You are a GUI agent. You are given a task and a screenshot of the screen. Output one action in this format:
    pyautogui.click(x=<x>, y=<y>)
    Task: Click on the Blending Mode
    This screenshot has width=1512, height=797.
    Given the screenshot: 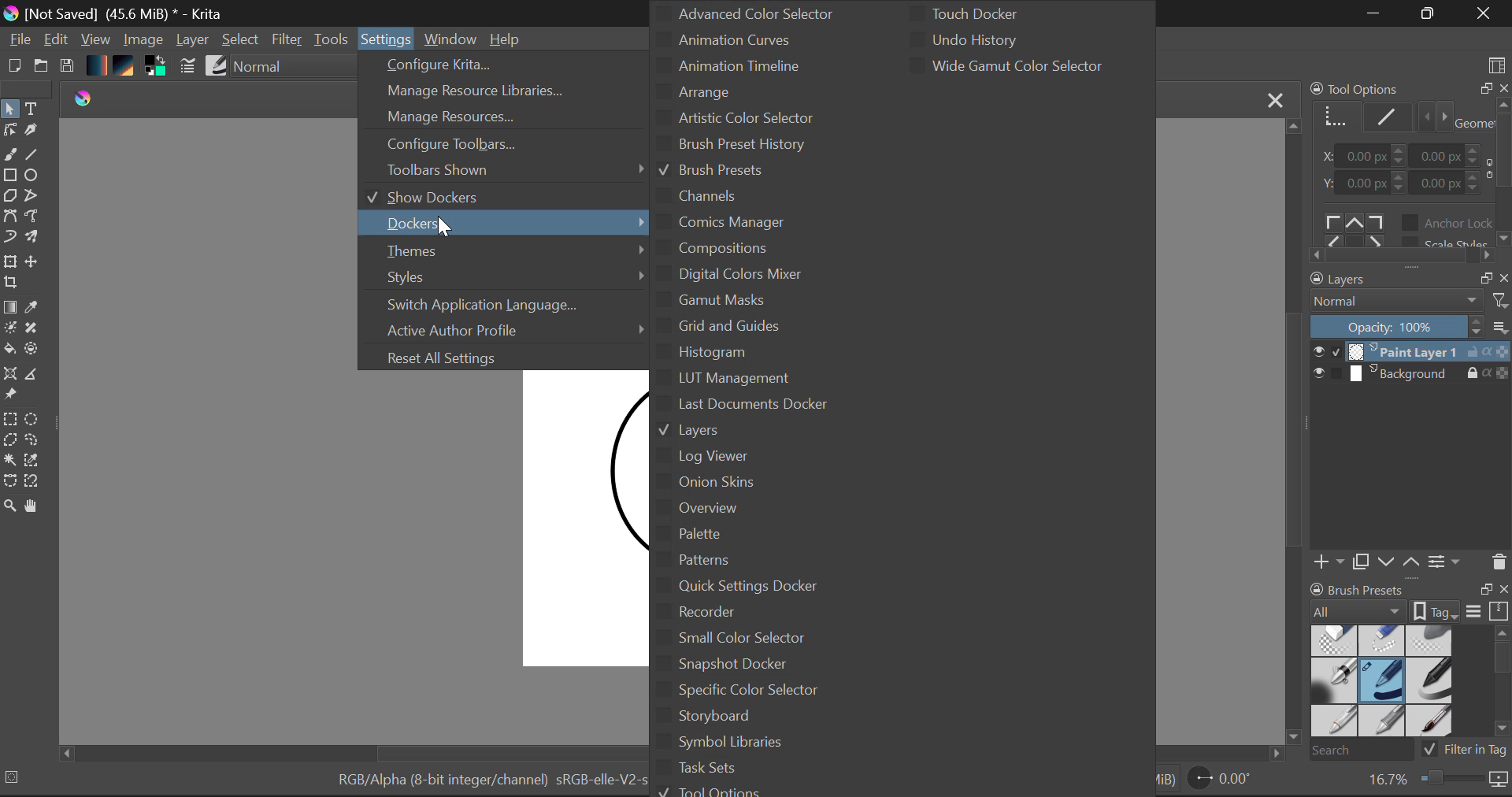 What is the action you would take?
    pyautogui.click(x=1410, y=303)
    